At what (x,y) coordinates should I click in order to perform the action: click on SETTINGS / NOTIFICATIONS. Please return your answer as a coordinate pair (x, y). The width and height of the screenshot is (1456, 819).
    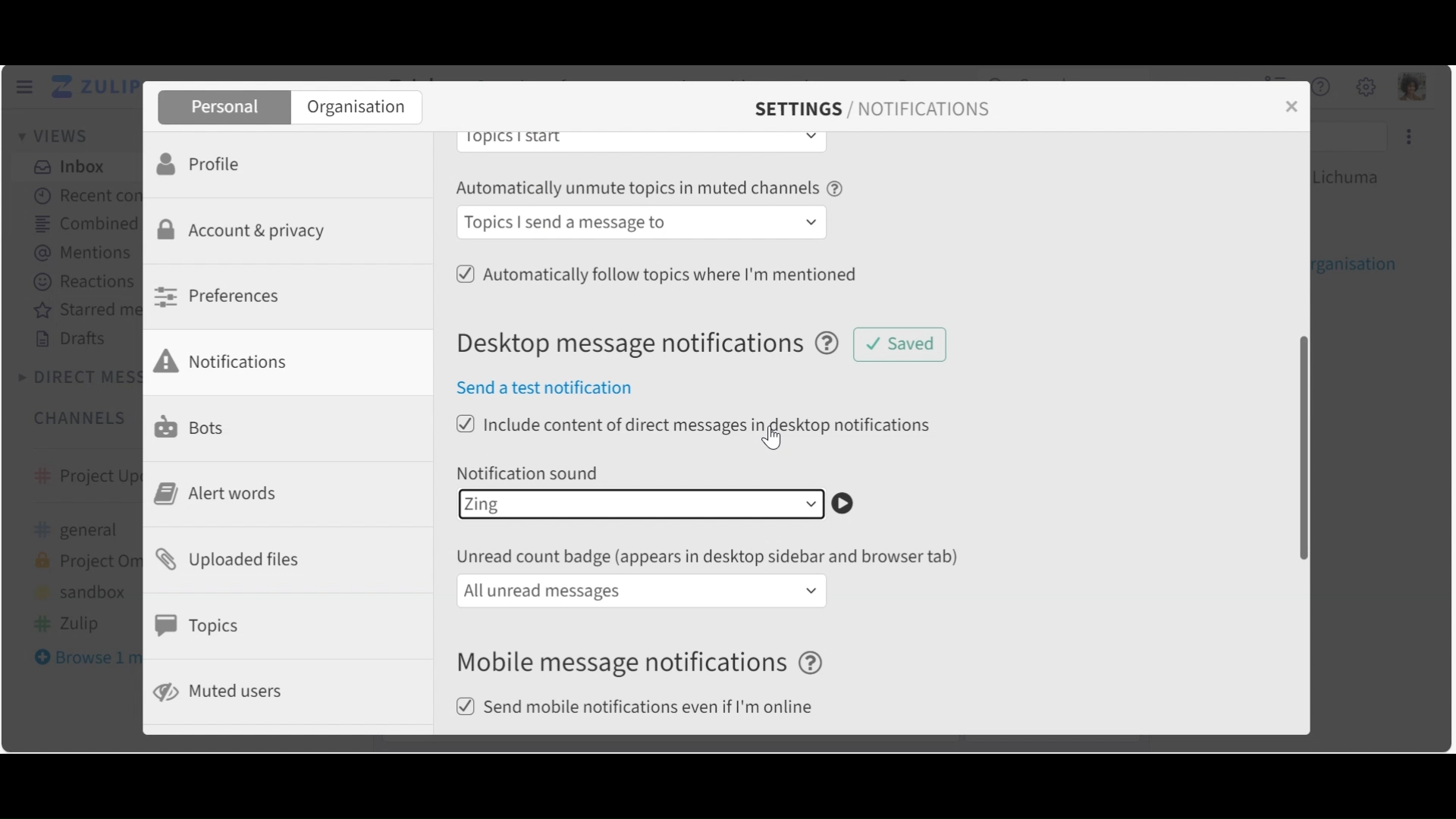
    Looking at the image, I should click on (872, 109).